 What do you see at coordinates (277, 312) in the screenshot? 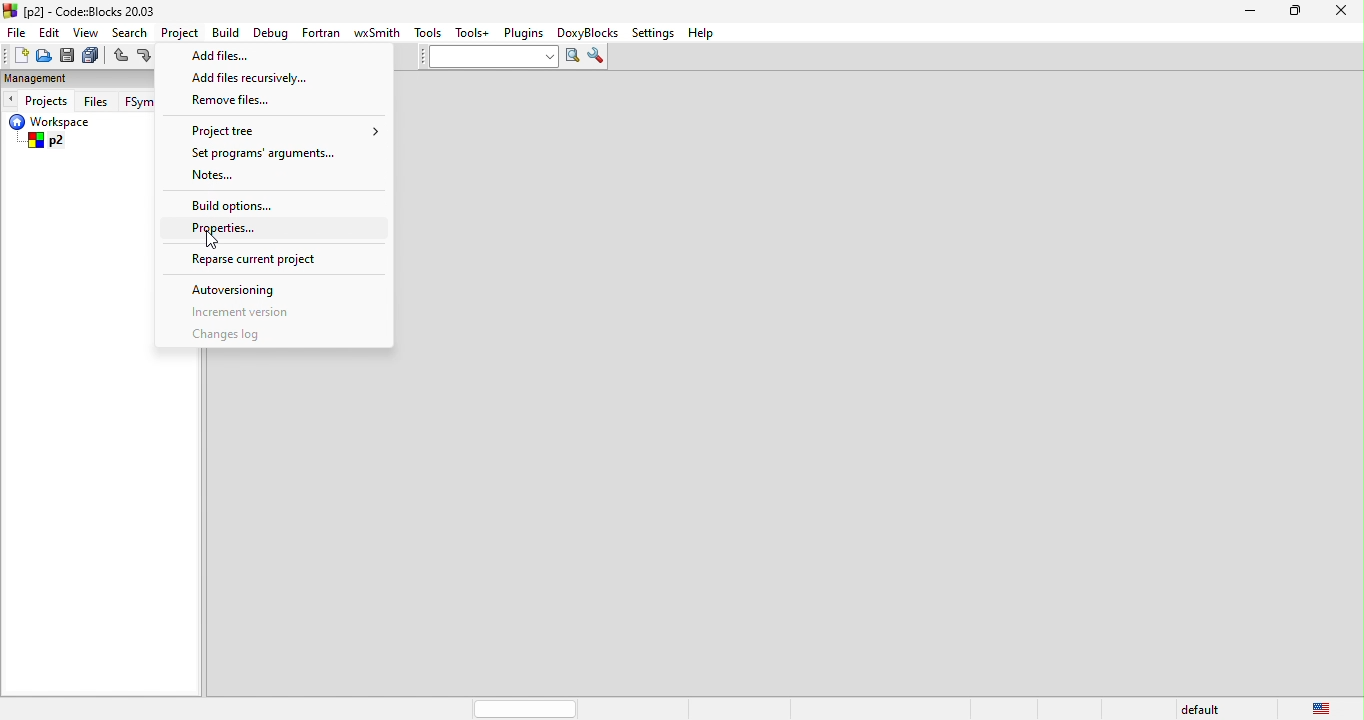
I see `increment version` at bounding box center [277, 312].